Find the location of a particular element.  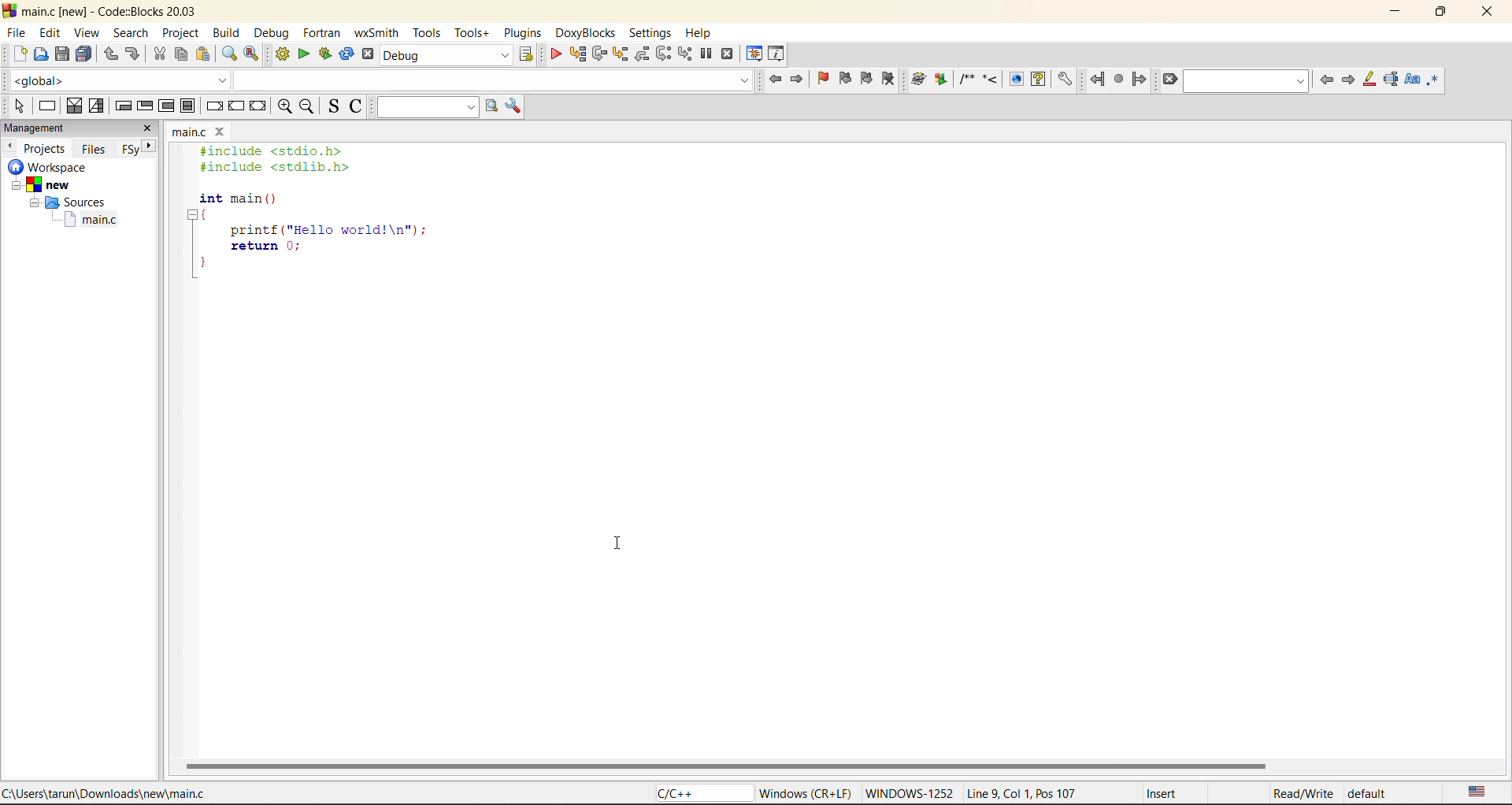

search is located at coordinates (130, 34).